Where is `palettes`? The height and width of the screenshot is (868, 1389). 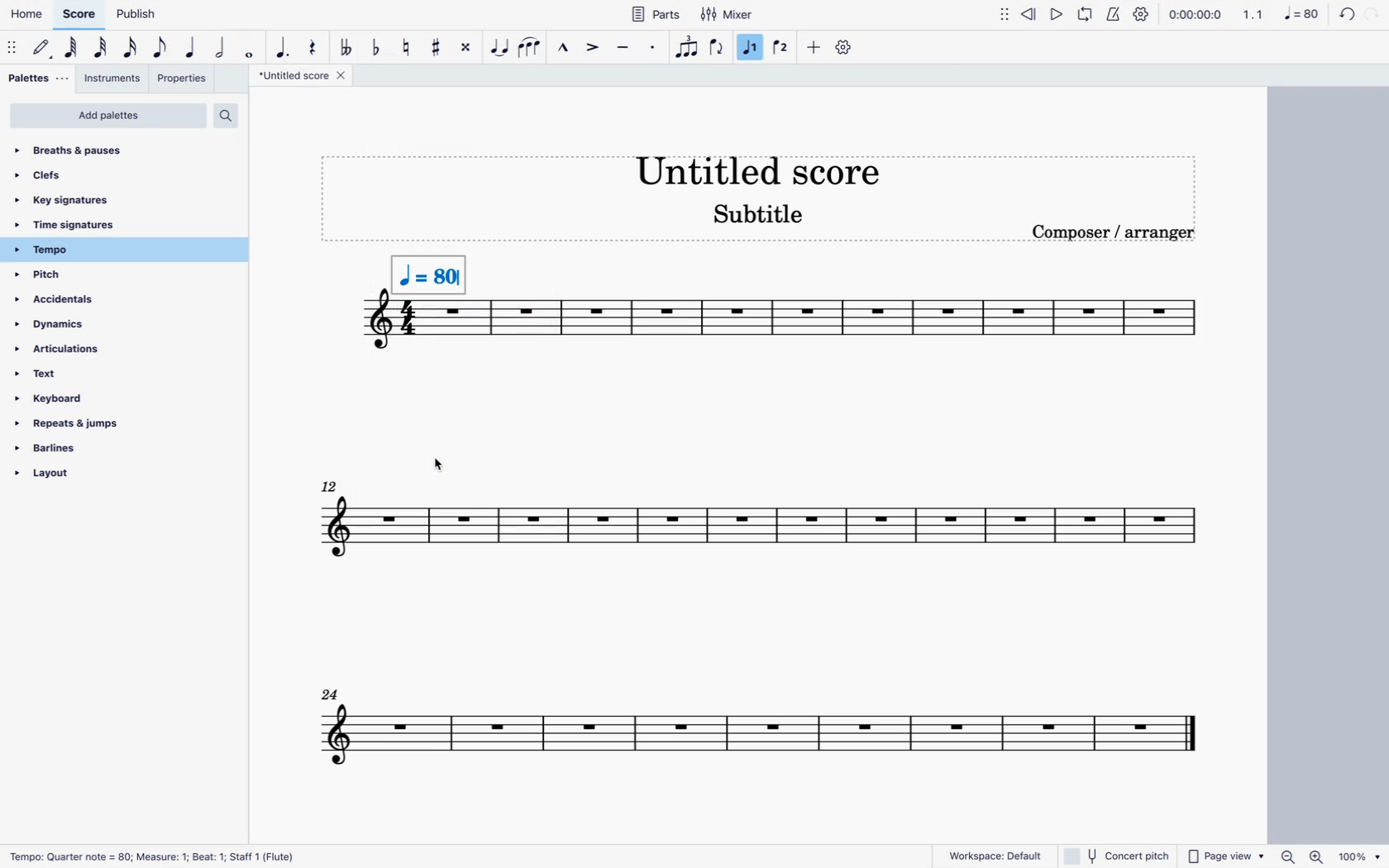 palettes is located at coordinates (38, 80).